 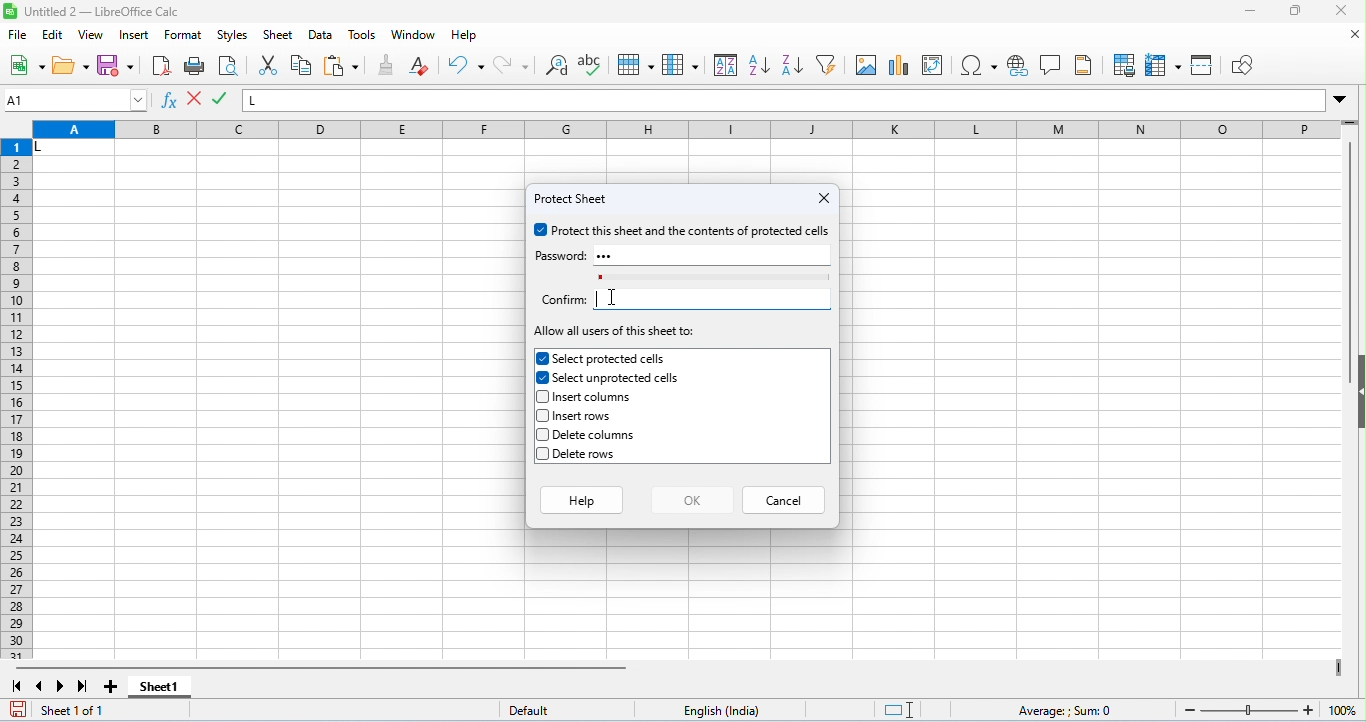 What do you see at coordinates (562, 300) in the screenshot?
I see `confirm` at bounding box center [562, 300].